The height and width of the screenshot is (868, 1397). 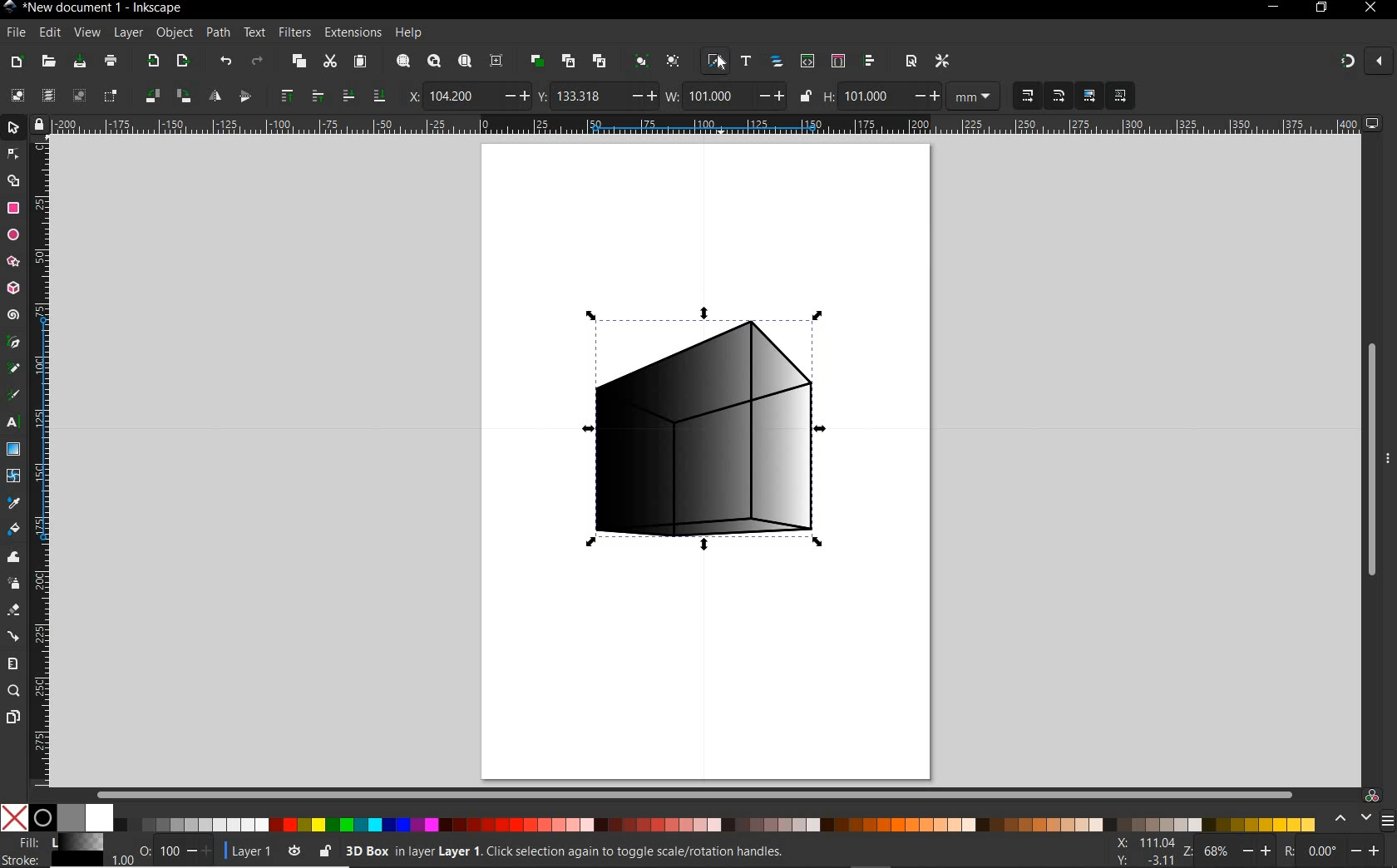 I want to click on computer icon, so click(x=1373, y=124).